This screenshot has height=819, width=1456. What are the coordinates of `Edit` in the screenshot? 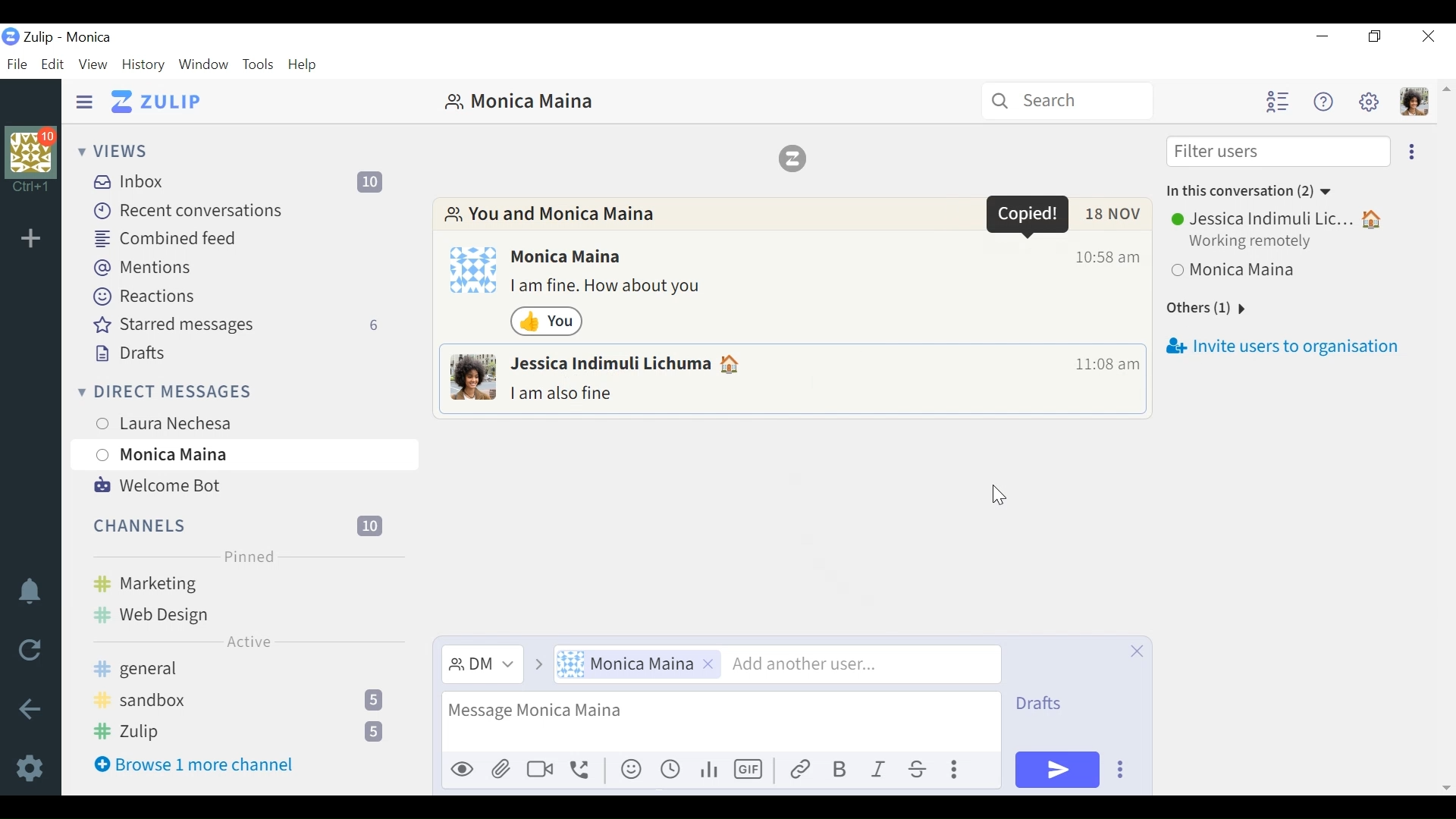 It's located at (53, 64).